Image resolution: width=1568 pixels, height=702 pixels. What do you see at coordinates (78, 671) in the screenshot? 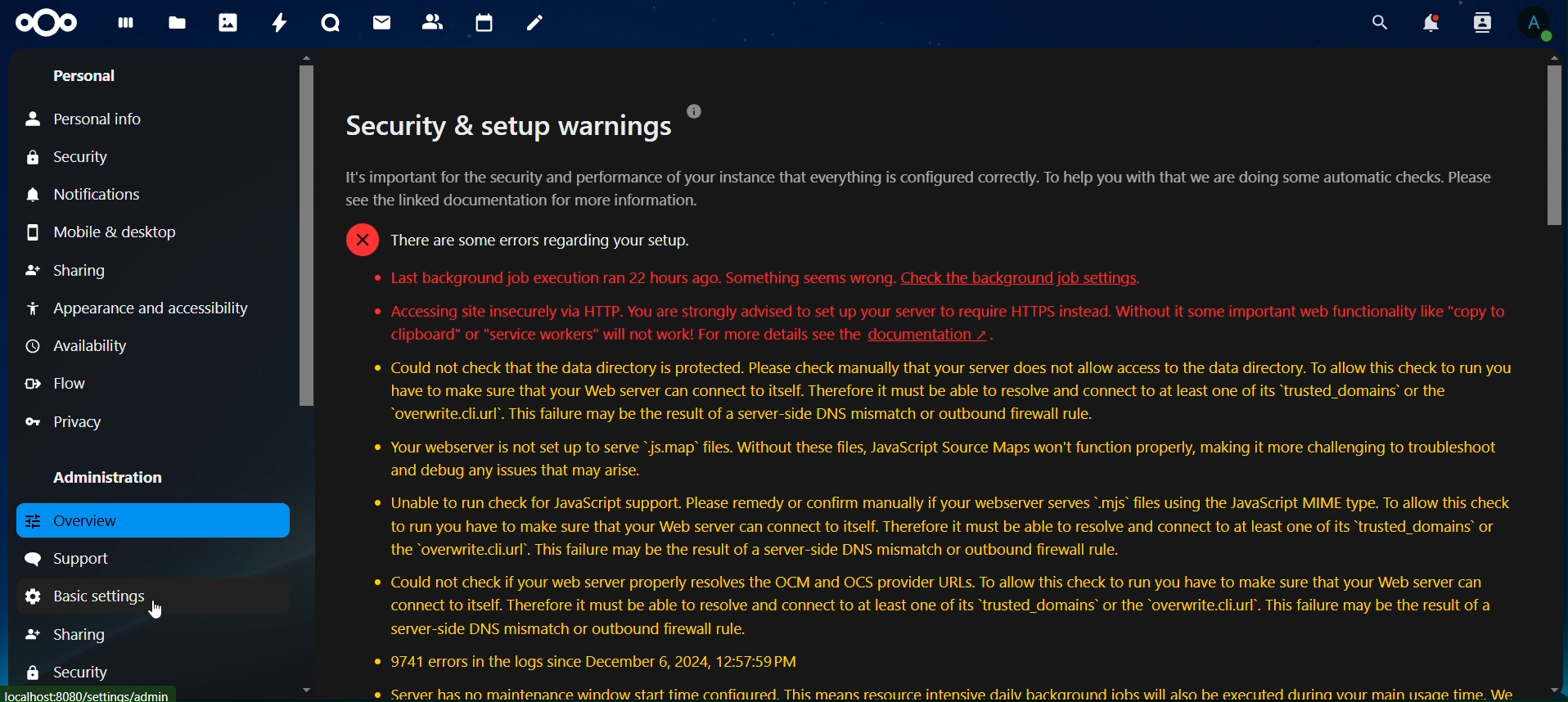
I see `security` at bounding box center [78, 671].